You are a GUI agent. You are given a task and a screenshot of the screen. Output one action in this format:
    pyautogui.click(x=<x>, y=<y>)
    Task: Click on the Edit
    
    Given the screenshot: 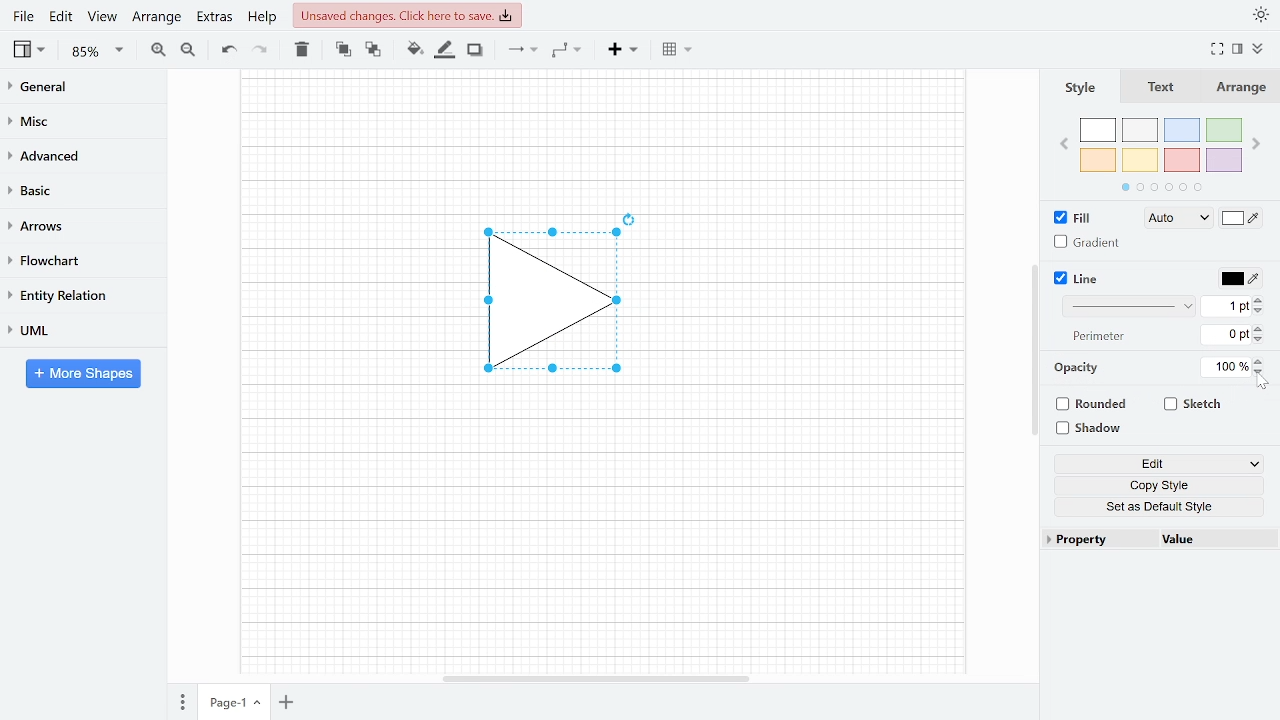 What is the action you would take?
    pyautogui.click(x=62, y=16)
    